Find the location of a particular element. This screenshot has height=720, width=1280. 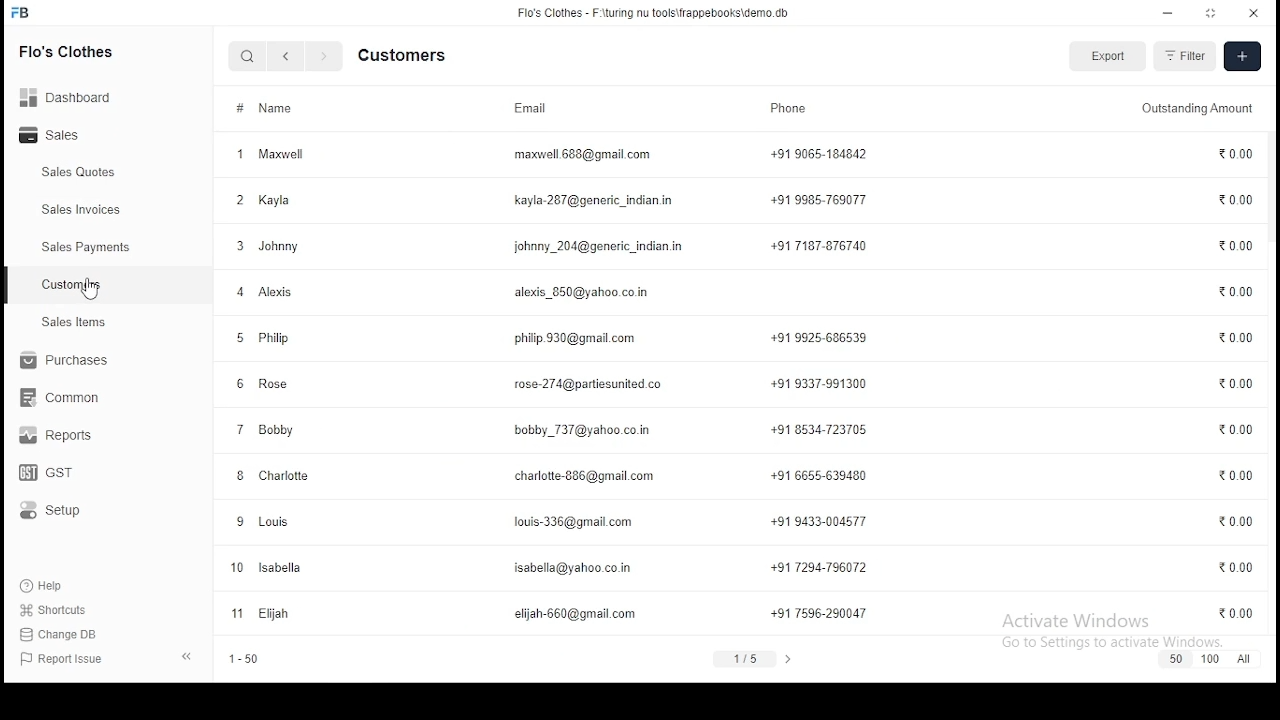

kayla.287@gmail.com is located at coordinates (598, 199).